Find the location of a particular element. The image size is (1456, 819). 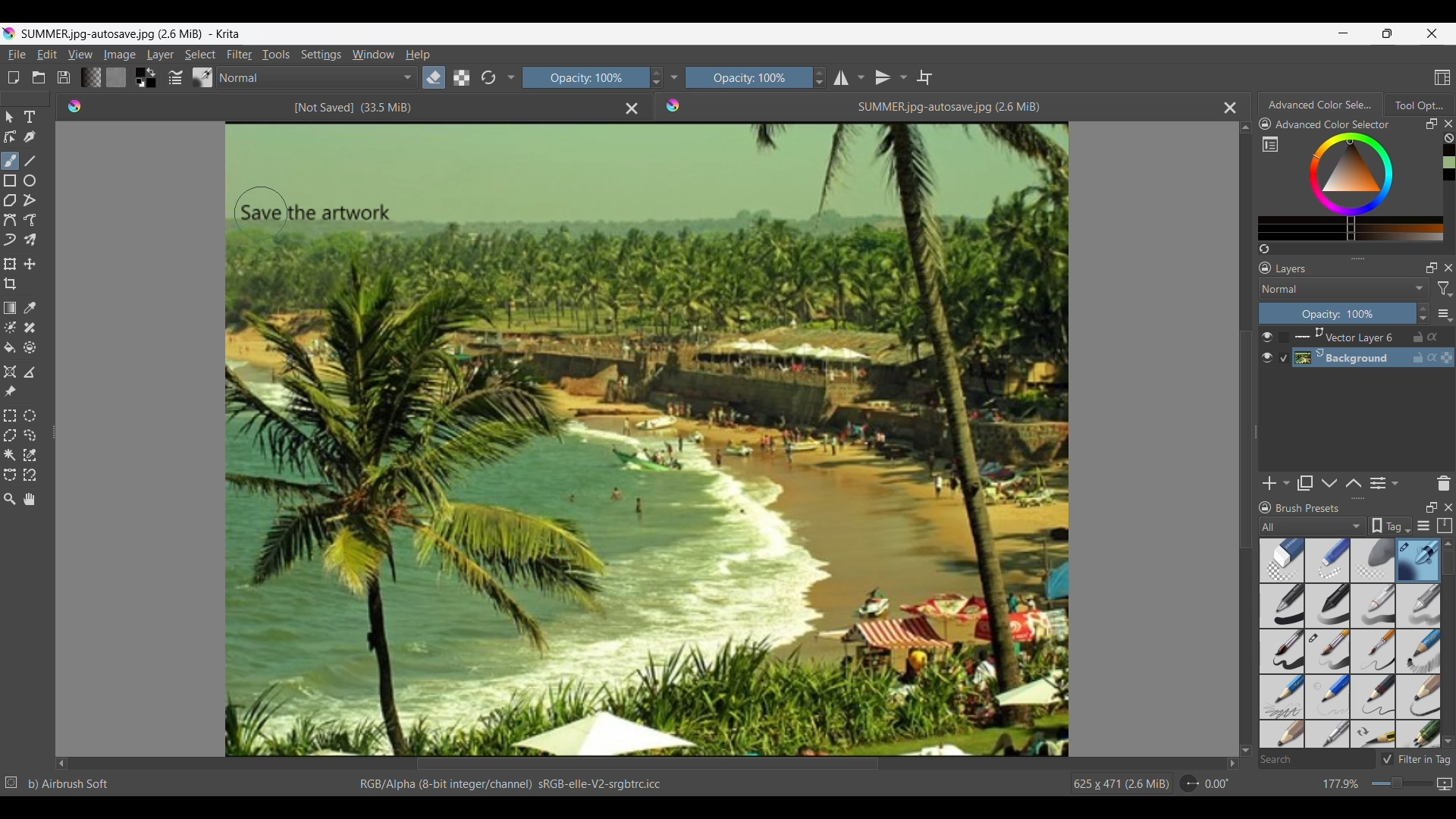

Clear color history is located at coordinates (1448, 138).